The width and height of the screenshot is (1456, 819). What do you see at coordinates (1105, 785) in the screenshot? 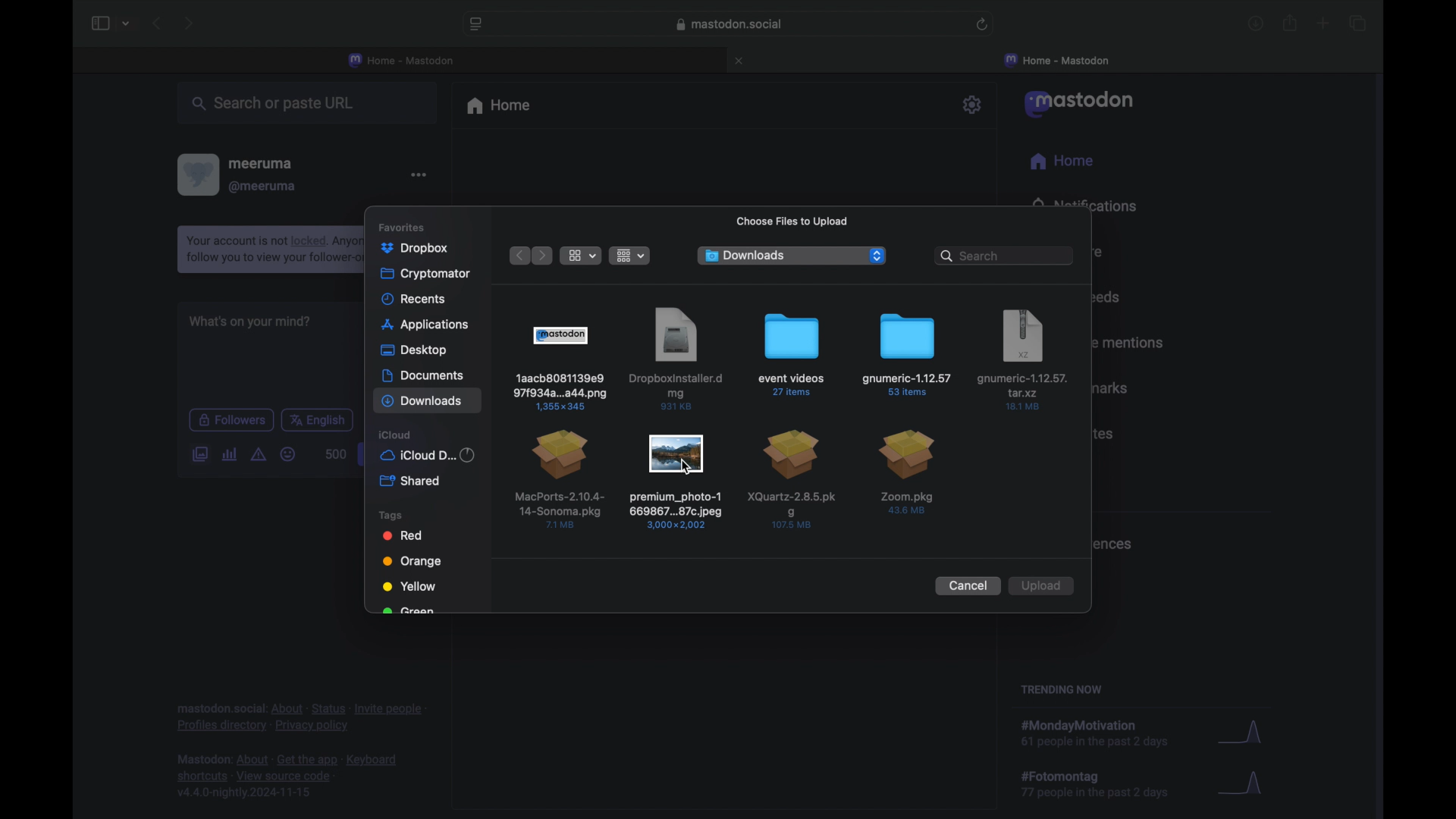
I see `hashtag trend` at bounding box center [1105, 785].